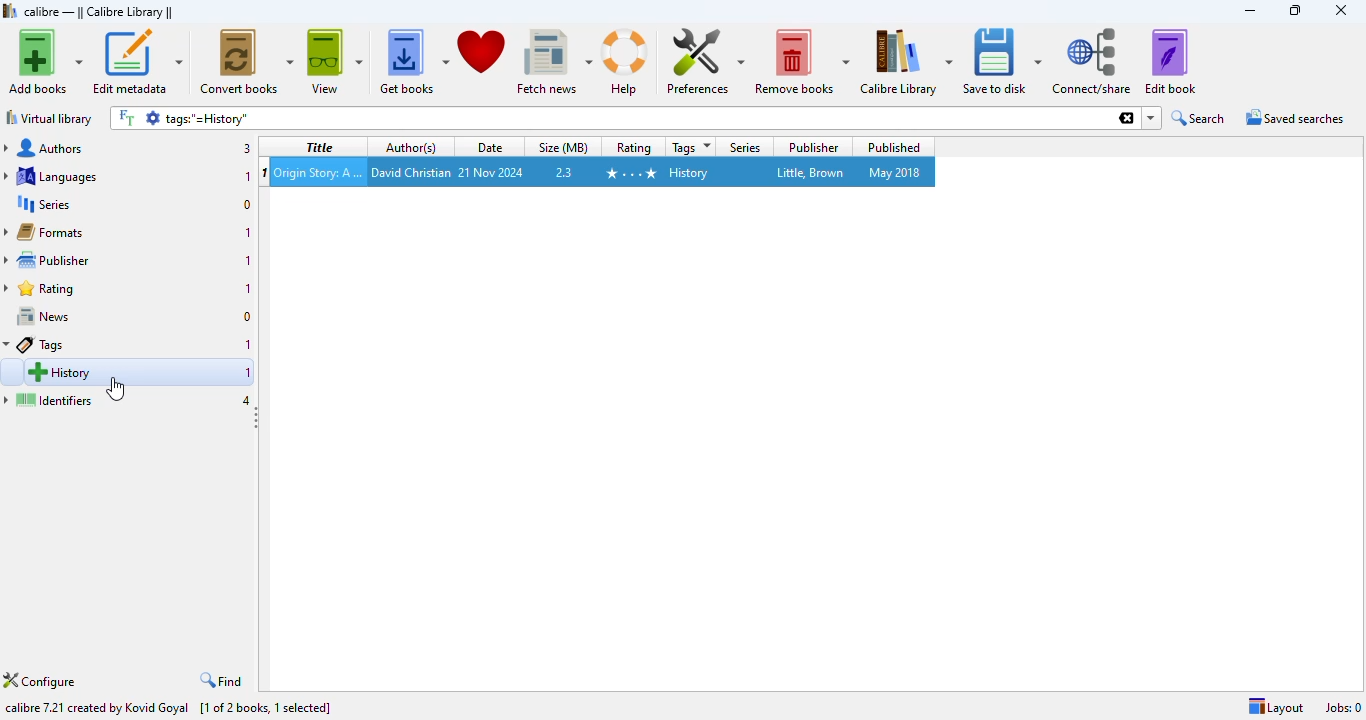 The height and width of the screenshot is (720, 1366). I want to click on search, so click(610, 119).